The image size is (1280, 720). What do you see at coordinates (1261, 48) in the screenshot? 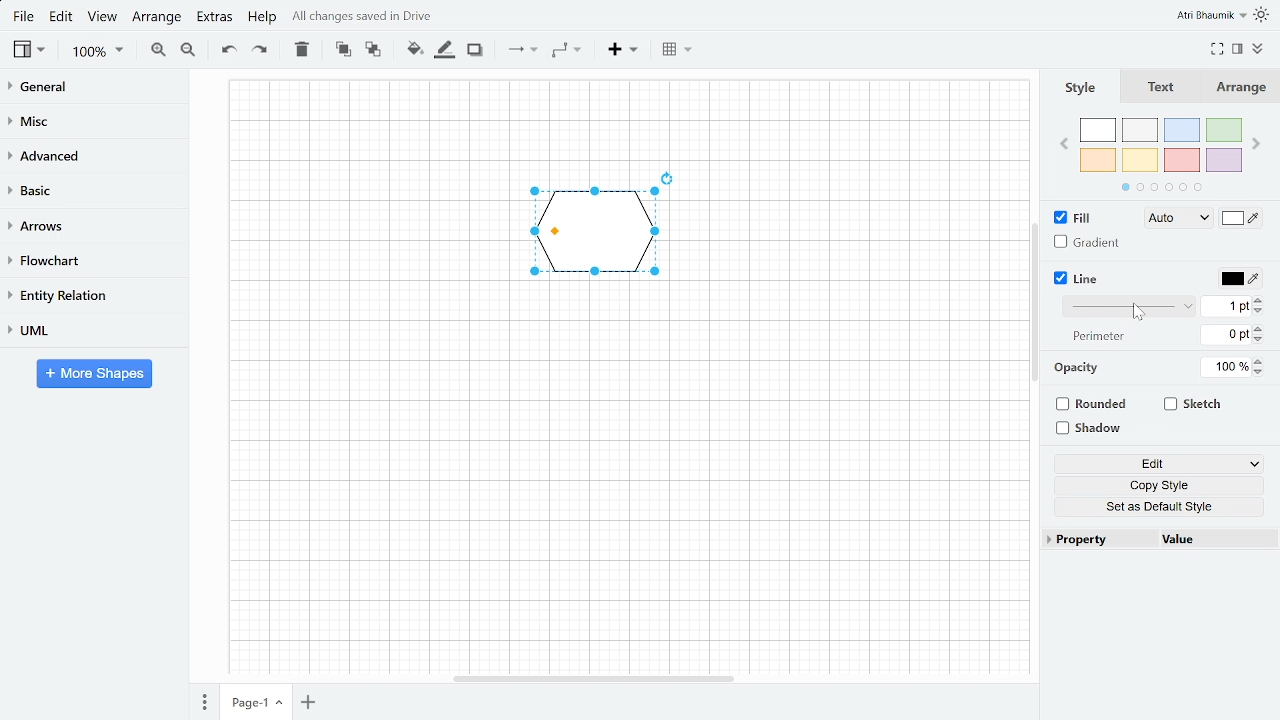
I see `Collapse` at bounding box center [1261, 48].